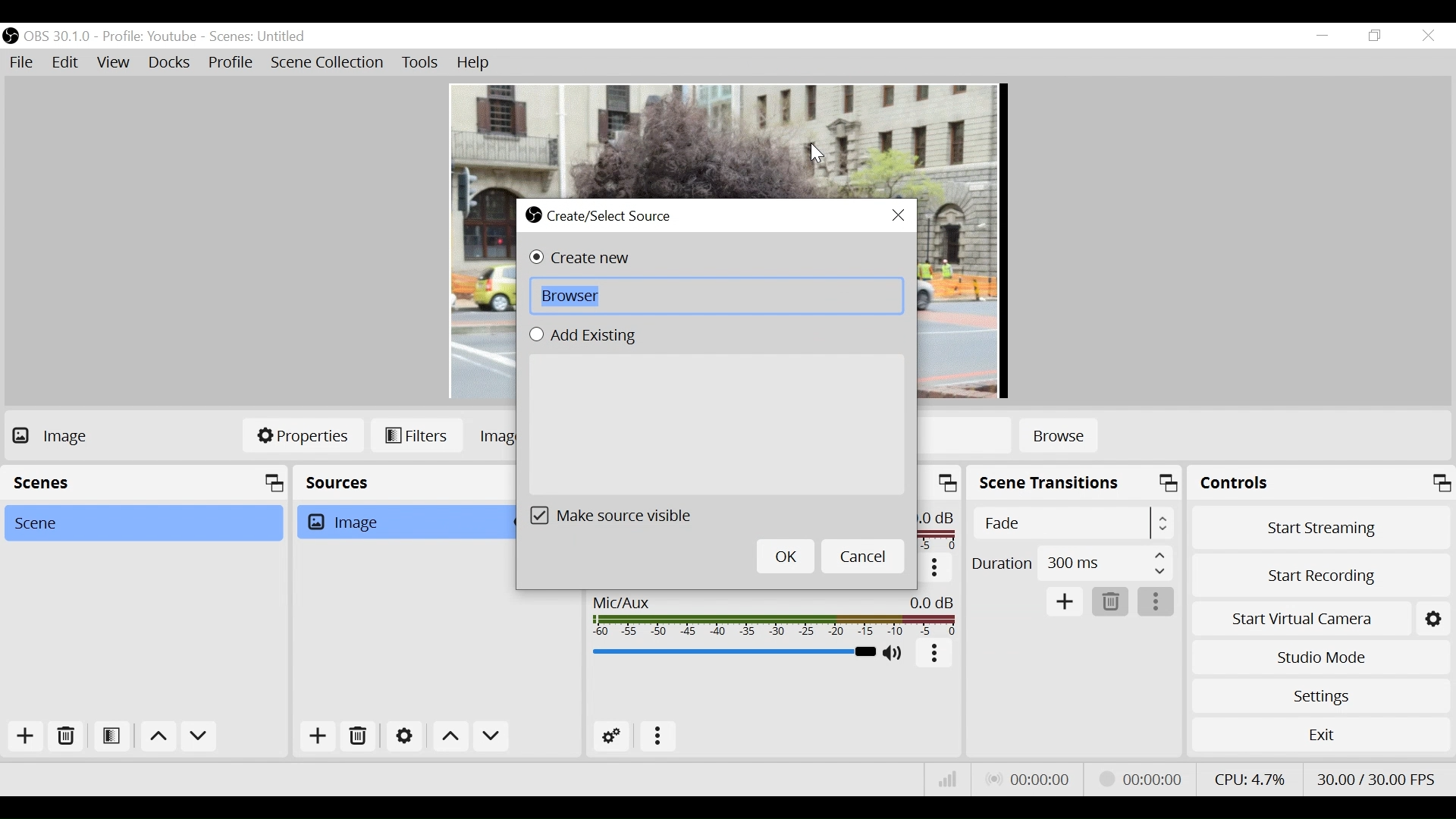 This screenshot has width=1456, height=819. Describe the element at coordinates (303, 436) in the screenshot. I see `Properties` at that location.